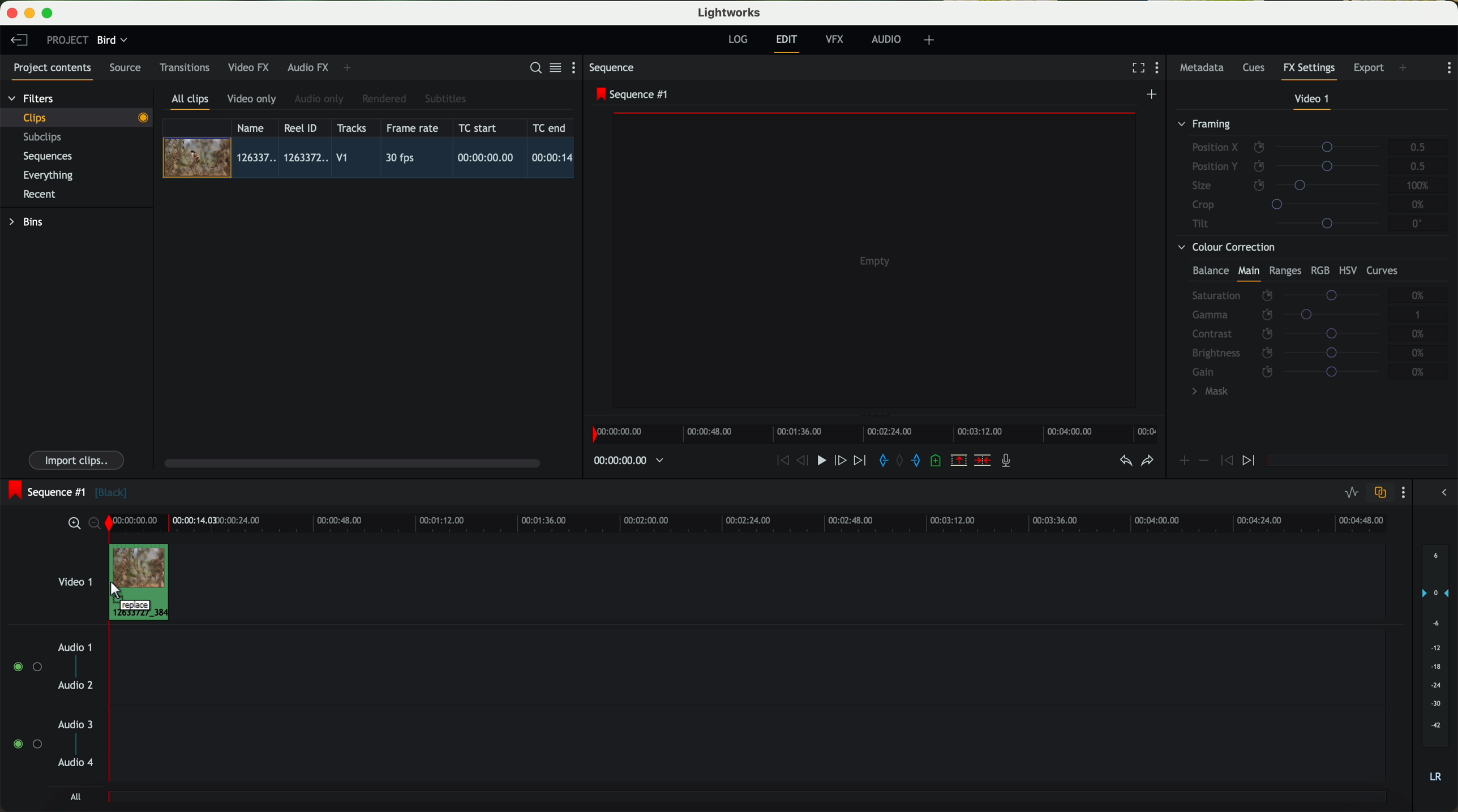 This screenshot has height=812, width=1458. Describe the element at coordinates (730, 12) in the screenshot. I see `Lightworks` at that location.